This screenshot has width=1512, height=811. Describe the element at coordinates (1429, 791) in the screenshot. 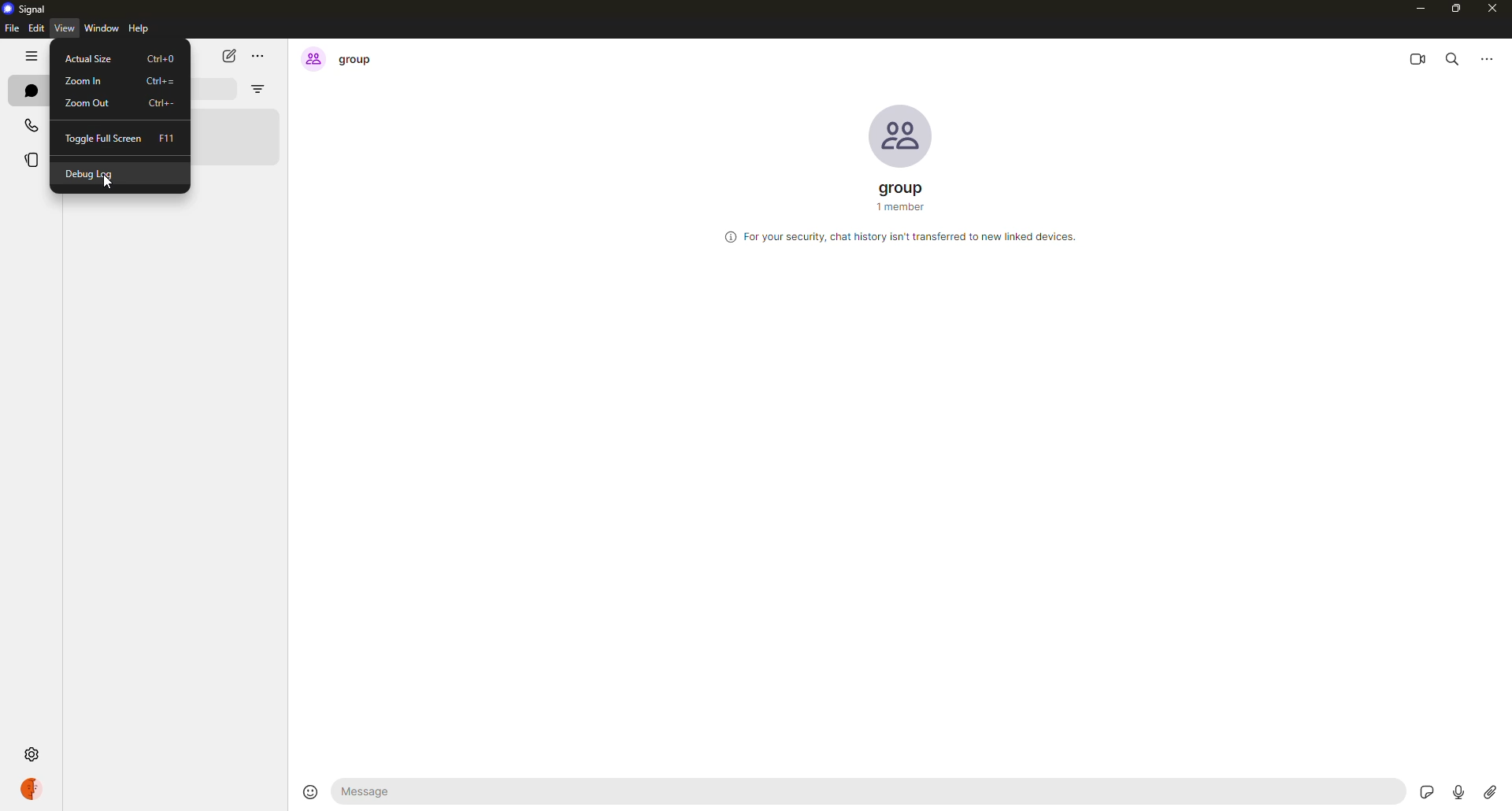

I see `stickers` at that location.